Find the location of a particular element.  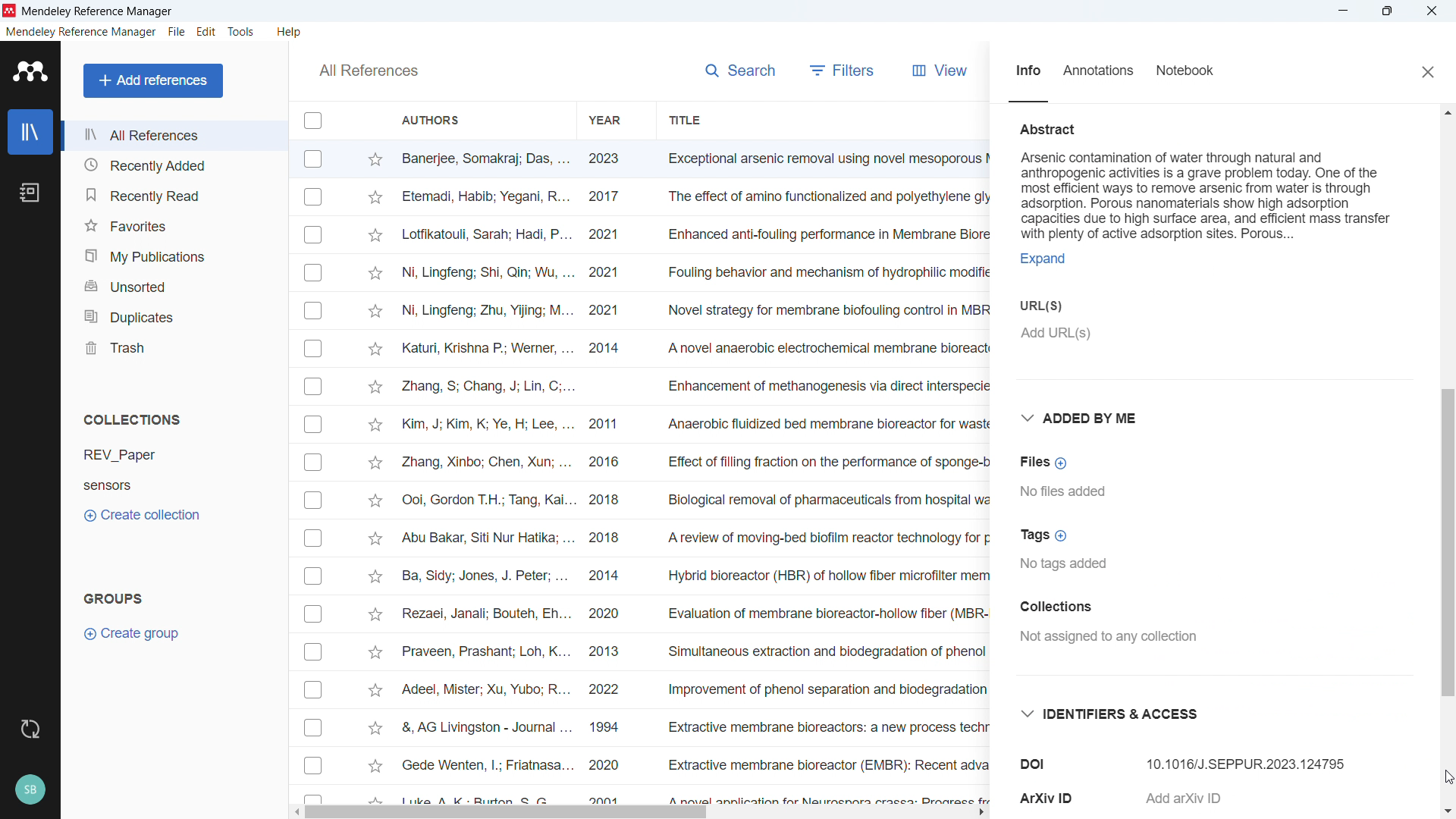

click to starmark individual entries is located at coordinates (372, 728).